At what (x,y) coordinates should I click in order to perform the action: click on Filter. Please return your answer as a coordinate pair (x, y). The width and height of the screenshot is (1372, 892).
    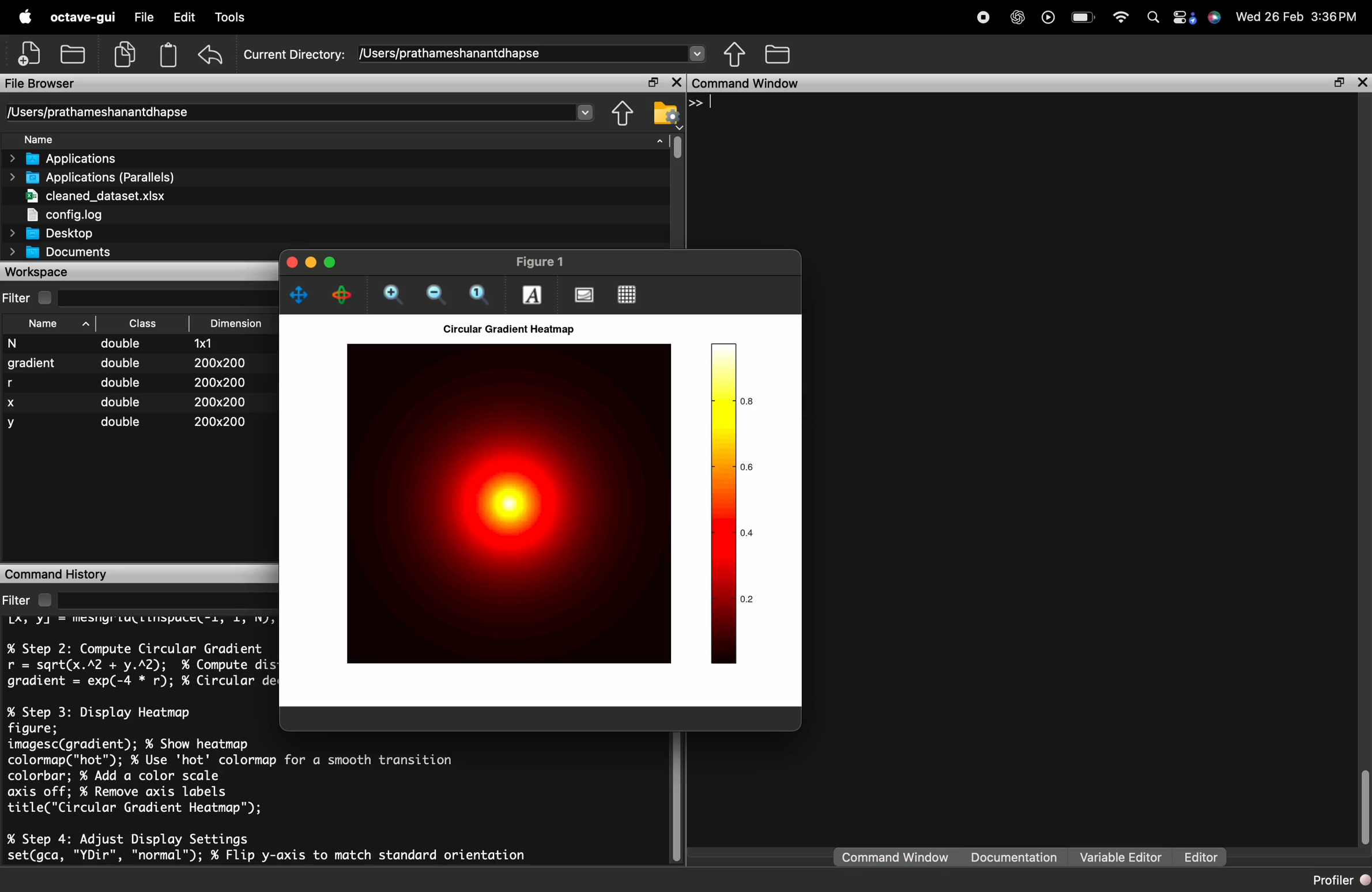
    Looking at the image, I should click on (28, 599).